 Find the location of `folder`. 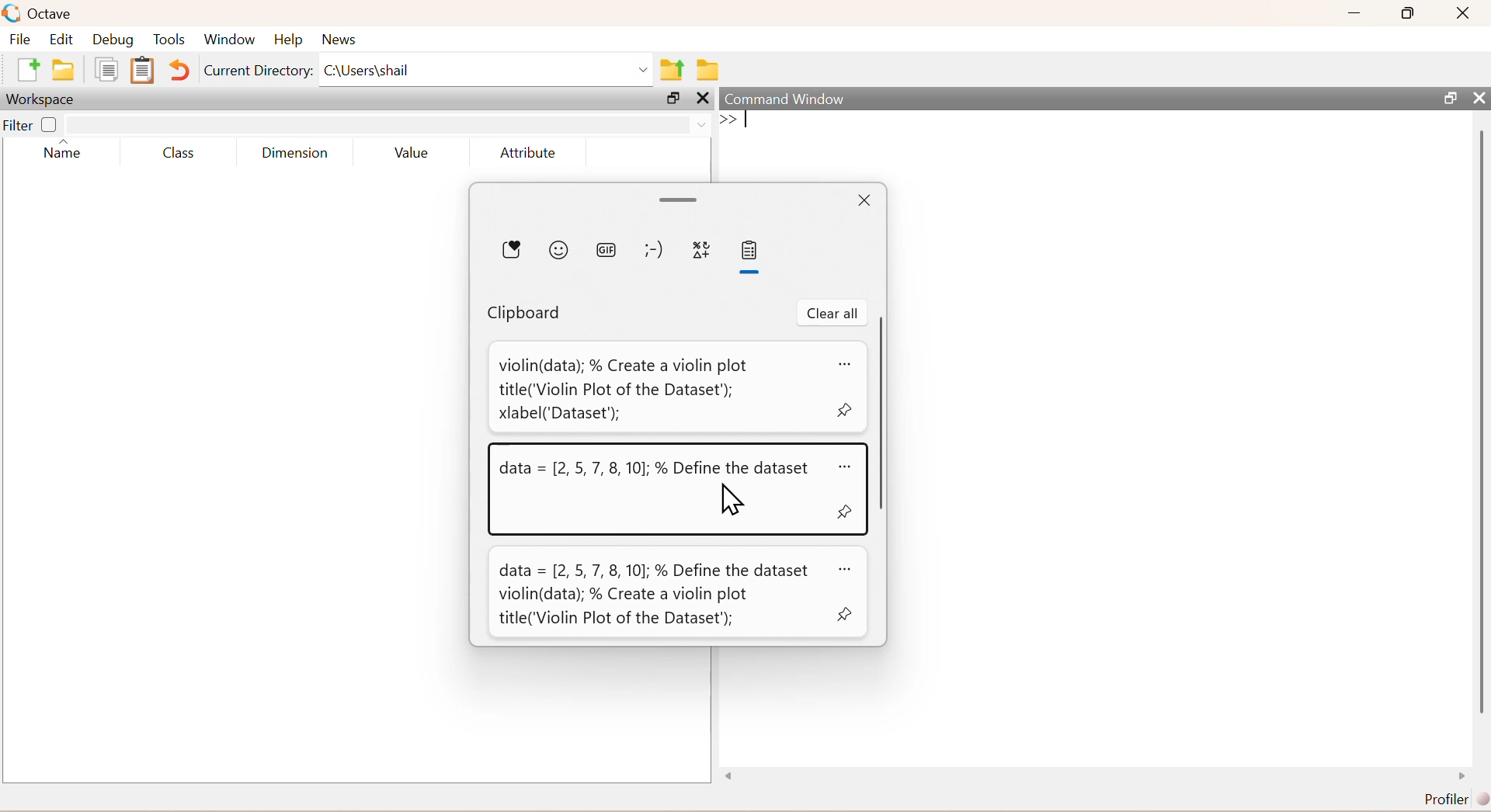

folder is located at coordinates (710, 70).